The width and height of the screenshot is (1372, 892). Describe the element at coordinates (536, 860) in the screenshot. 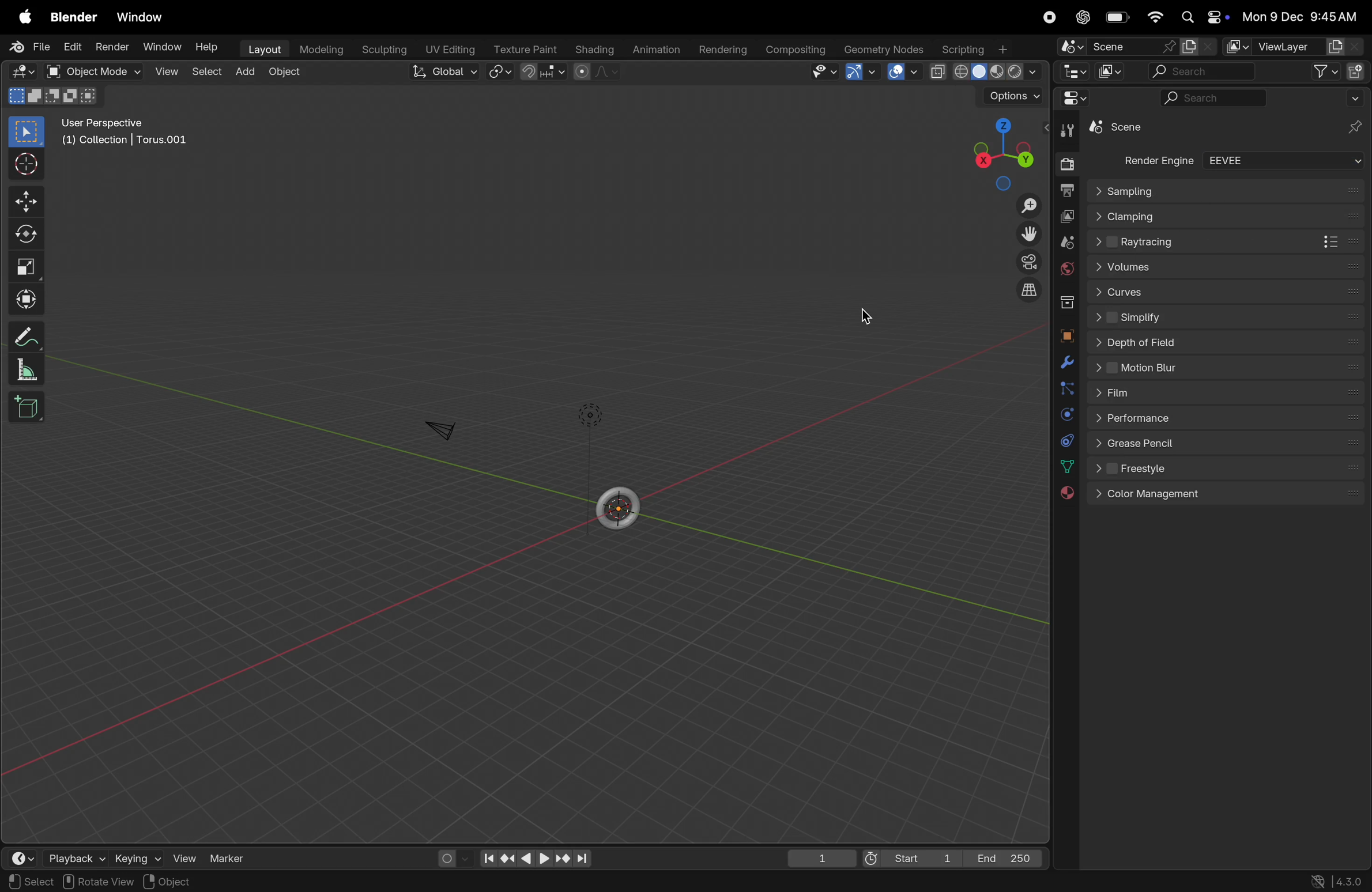

I see `play back controls` at that location.